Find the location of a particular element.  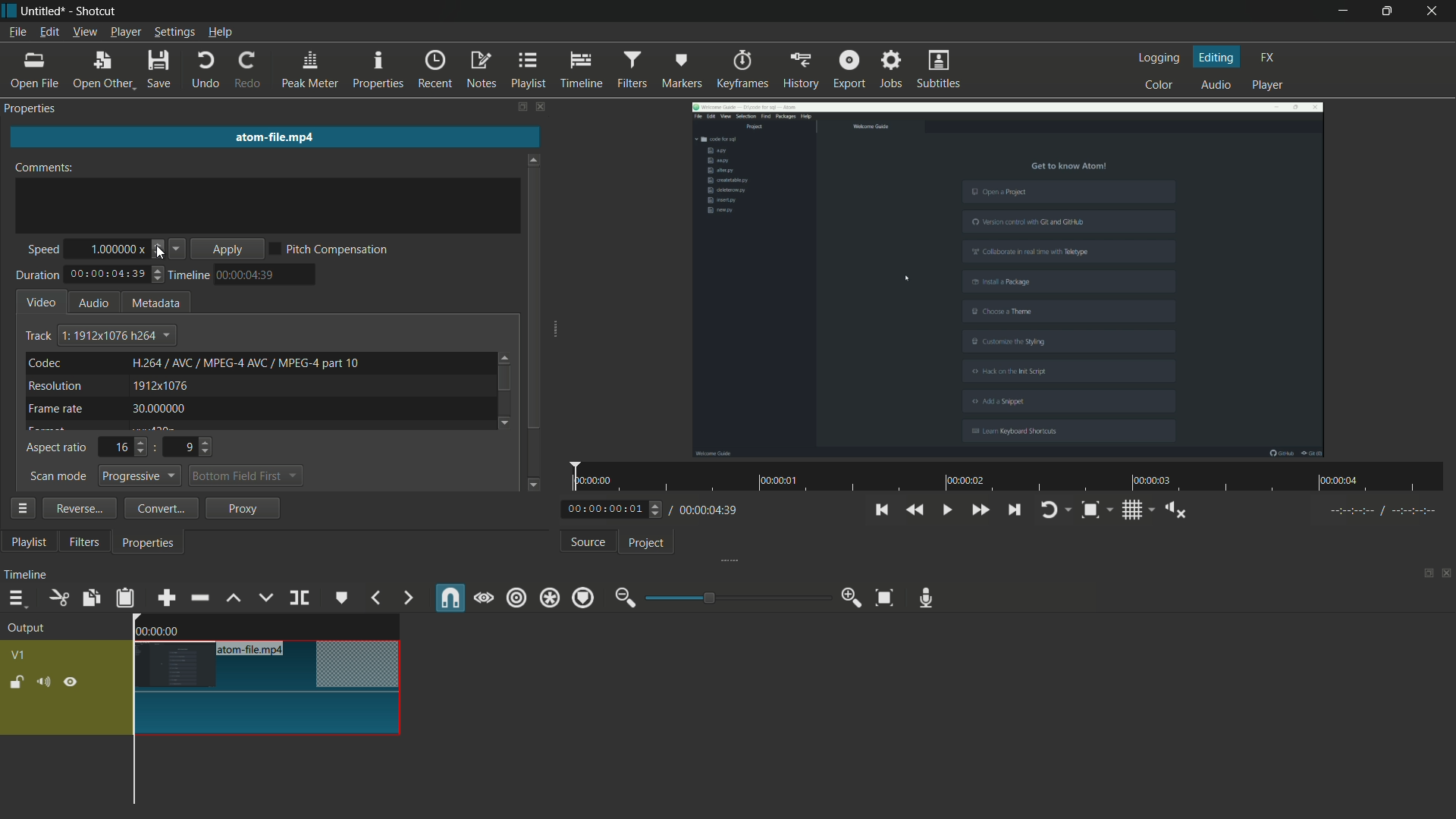

skip to the next point is located at coordinates (1013, 509).